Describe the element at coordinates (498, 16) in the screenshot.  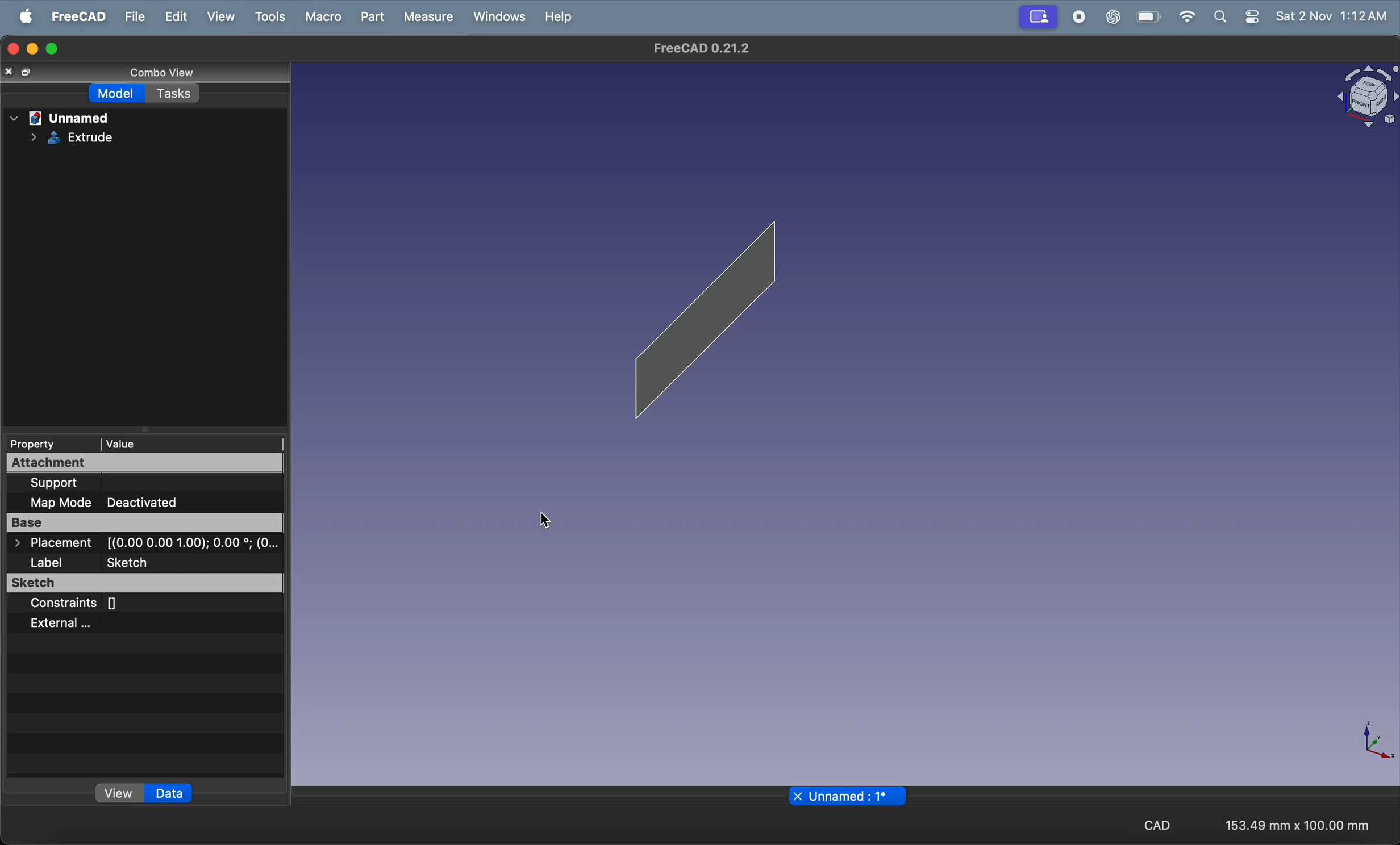
I see `windows` at that location.